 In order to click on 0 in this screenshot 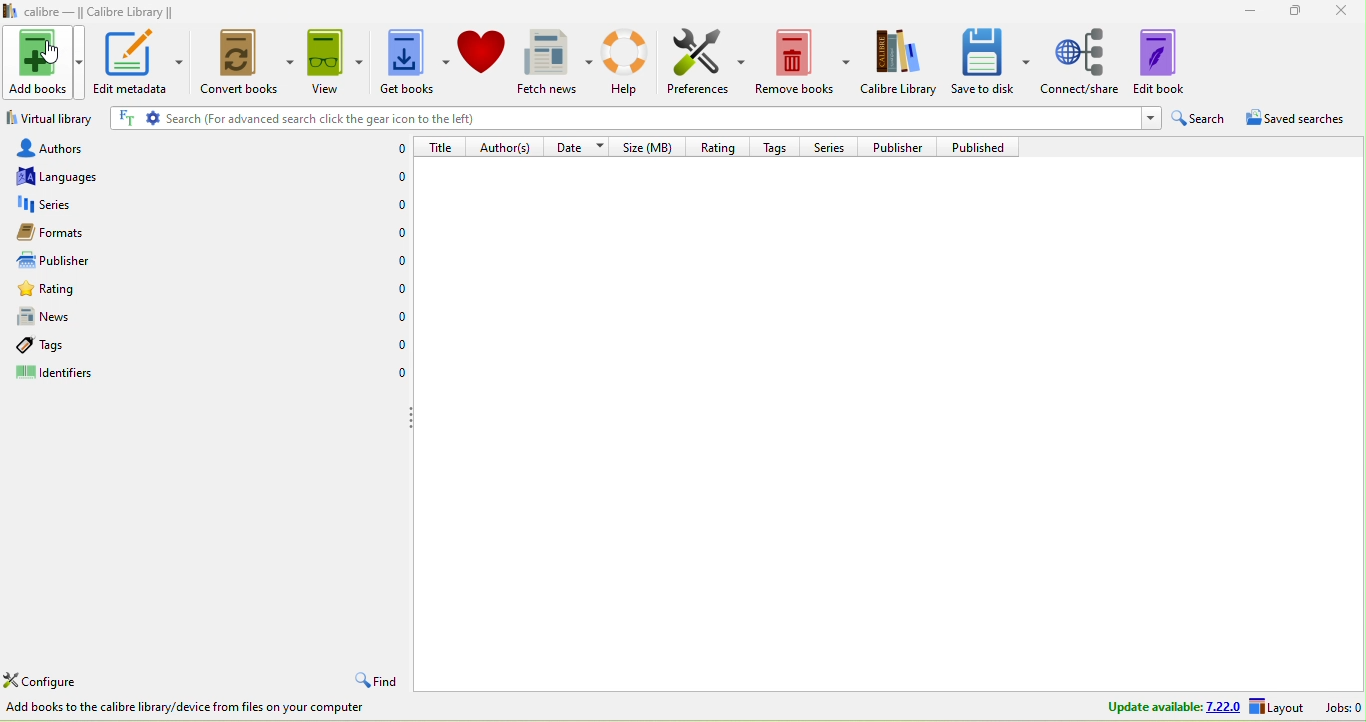, I will do `click(397, 313)`.